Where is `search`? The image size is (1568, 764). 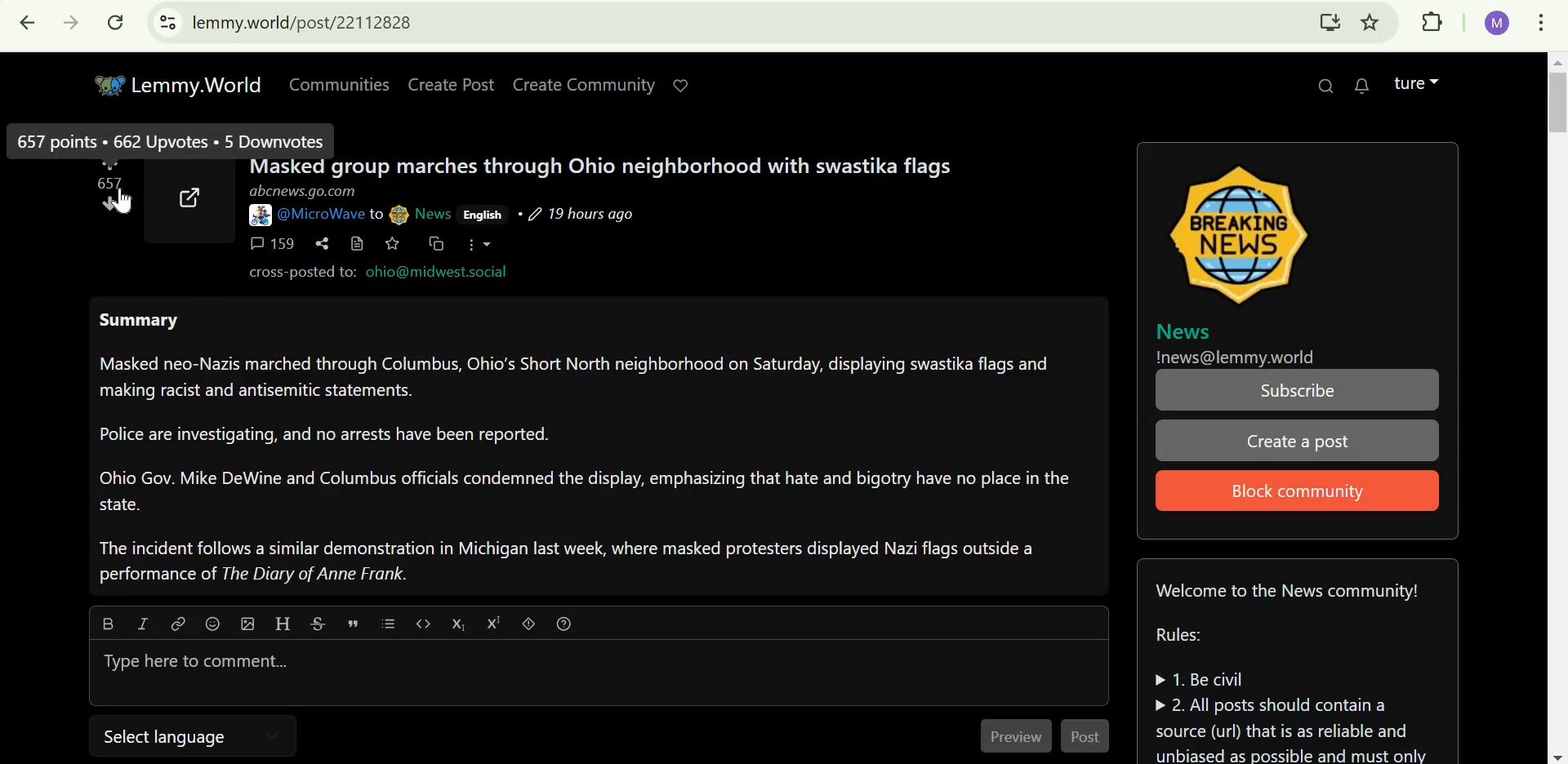 search is located at coordinates (1325, 85).